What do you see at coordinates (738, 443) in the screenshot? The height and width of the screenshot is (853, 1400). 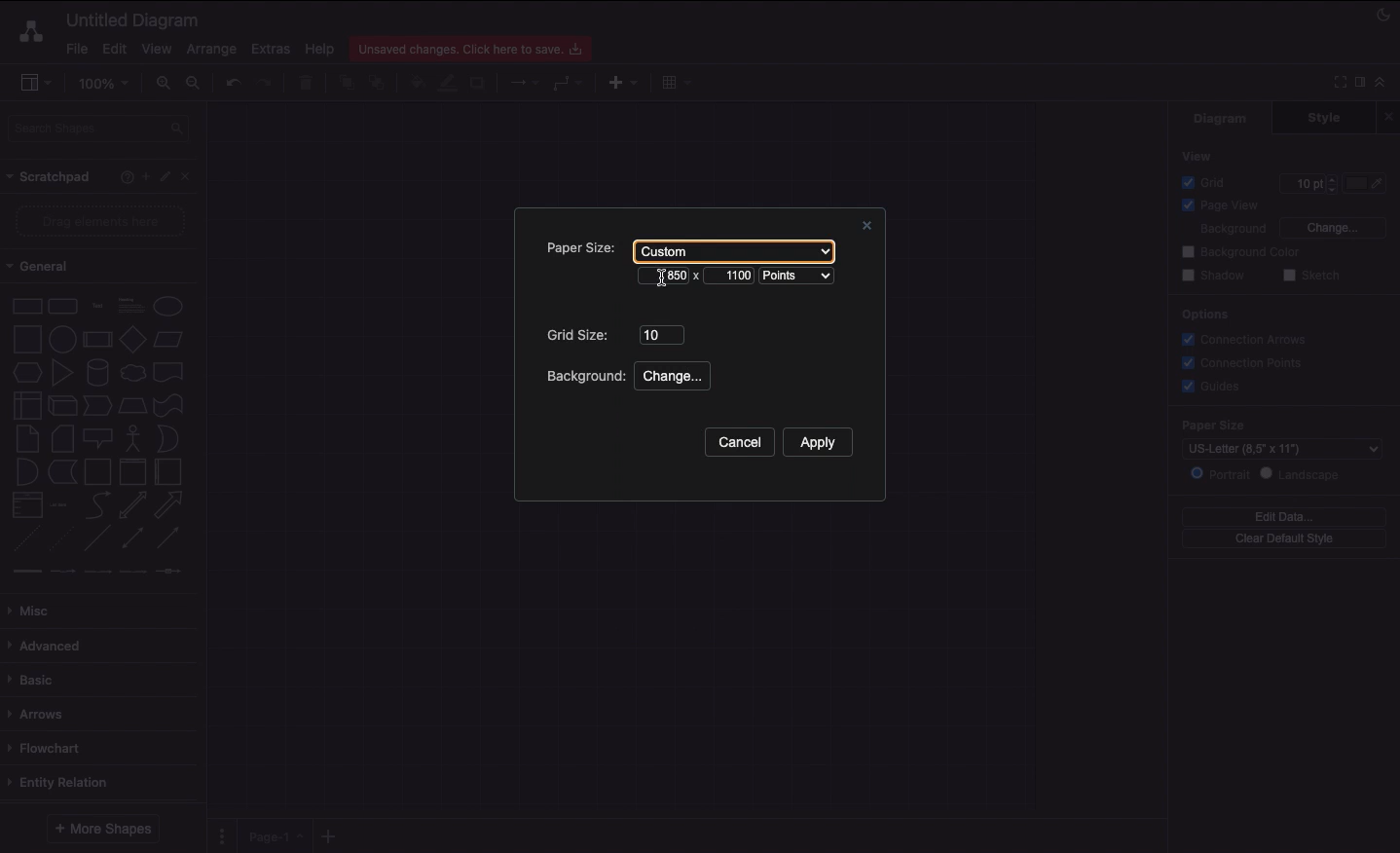 I see `Cancel` at bounding box center [738, 443].